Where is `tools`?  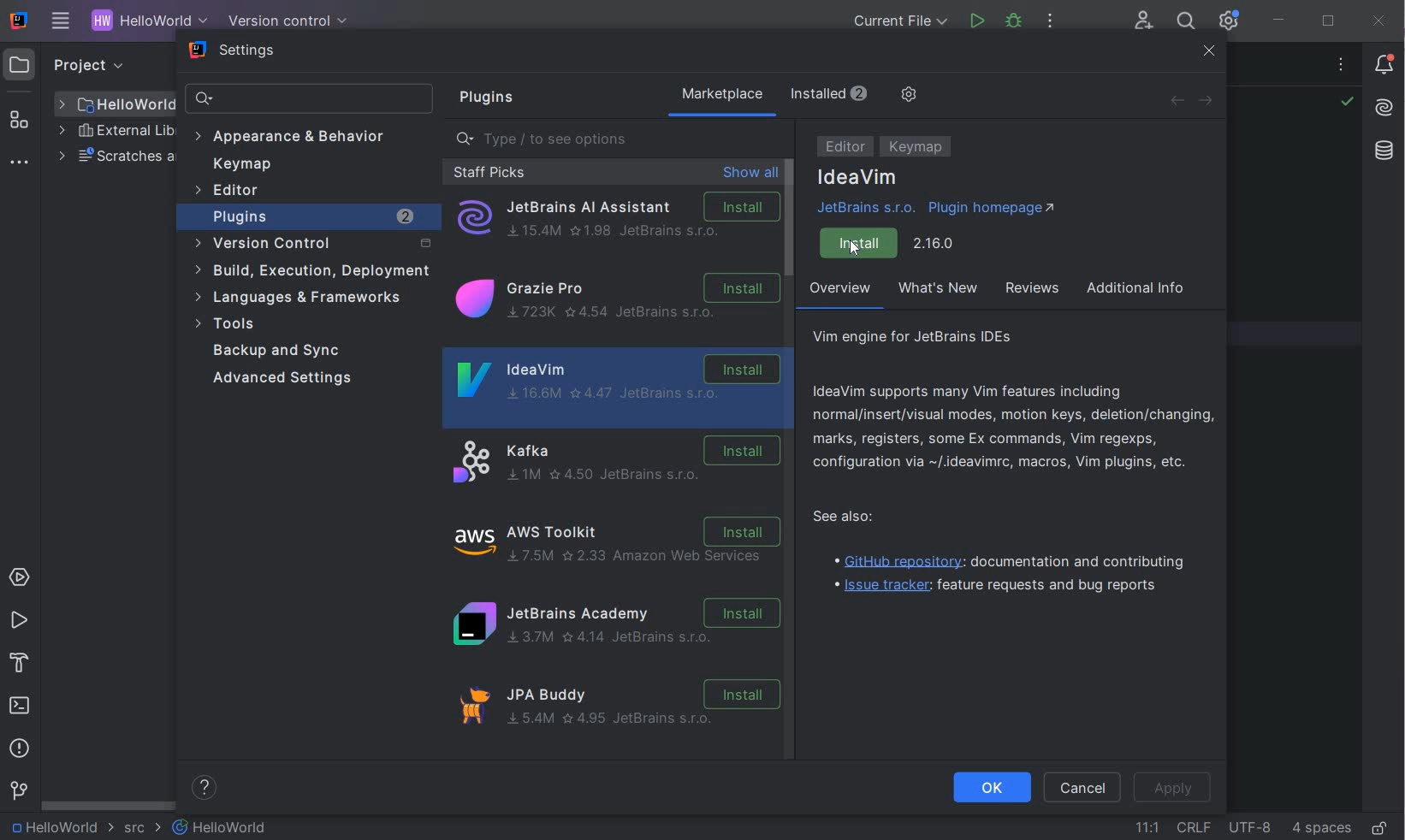 tools is located at coordinates (303, 324).